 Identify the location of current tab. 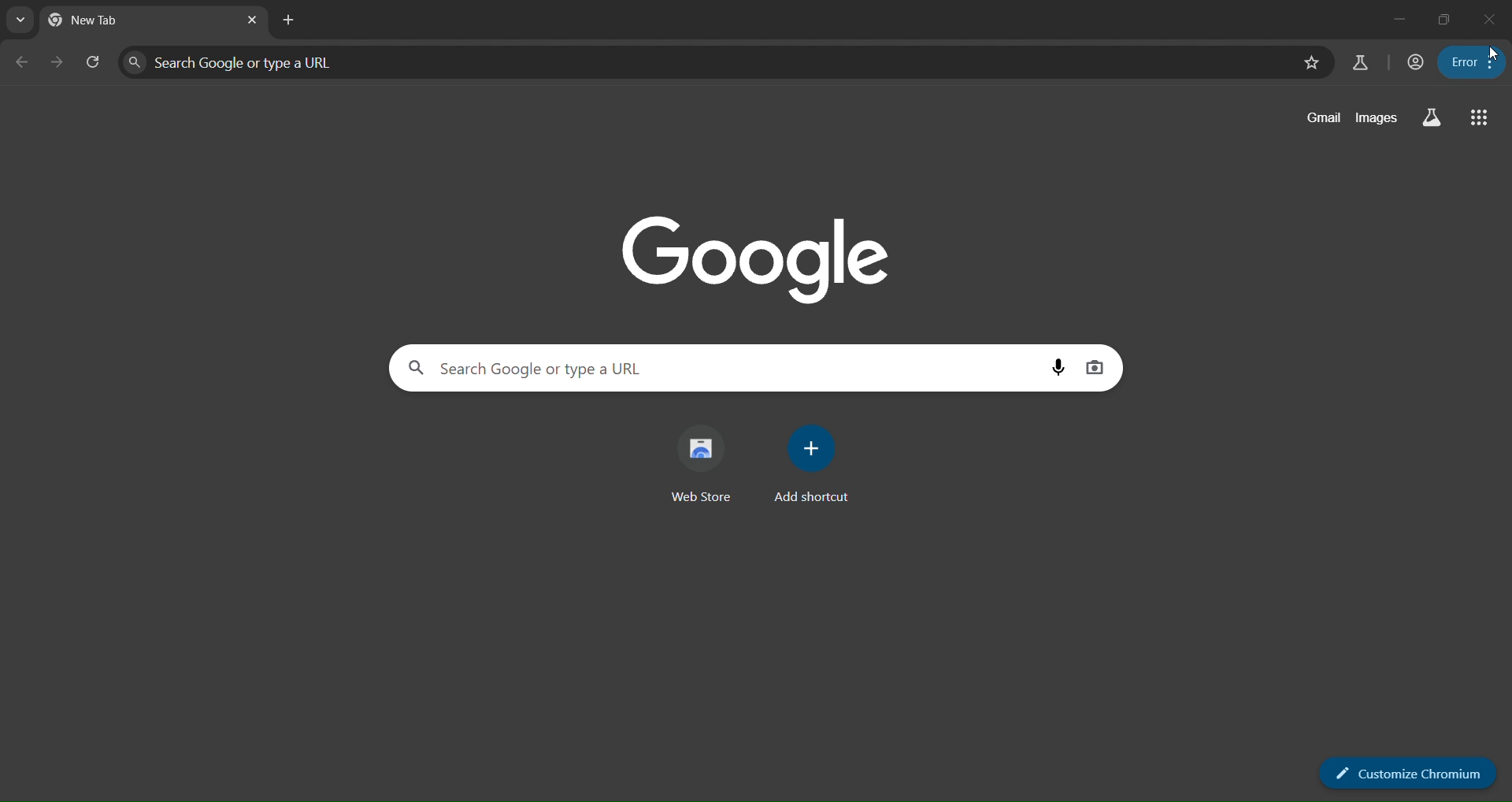
(94, 20).